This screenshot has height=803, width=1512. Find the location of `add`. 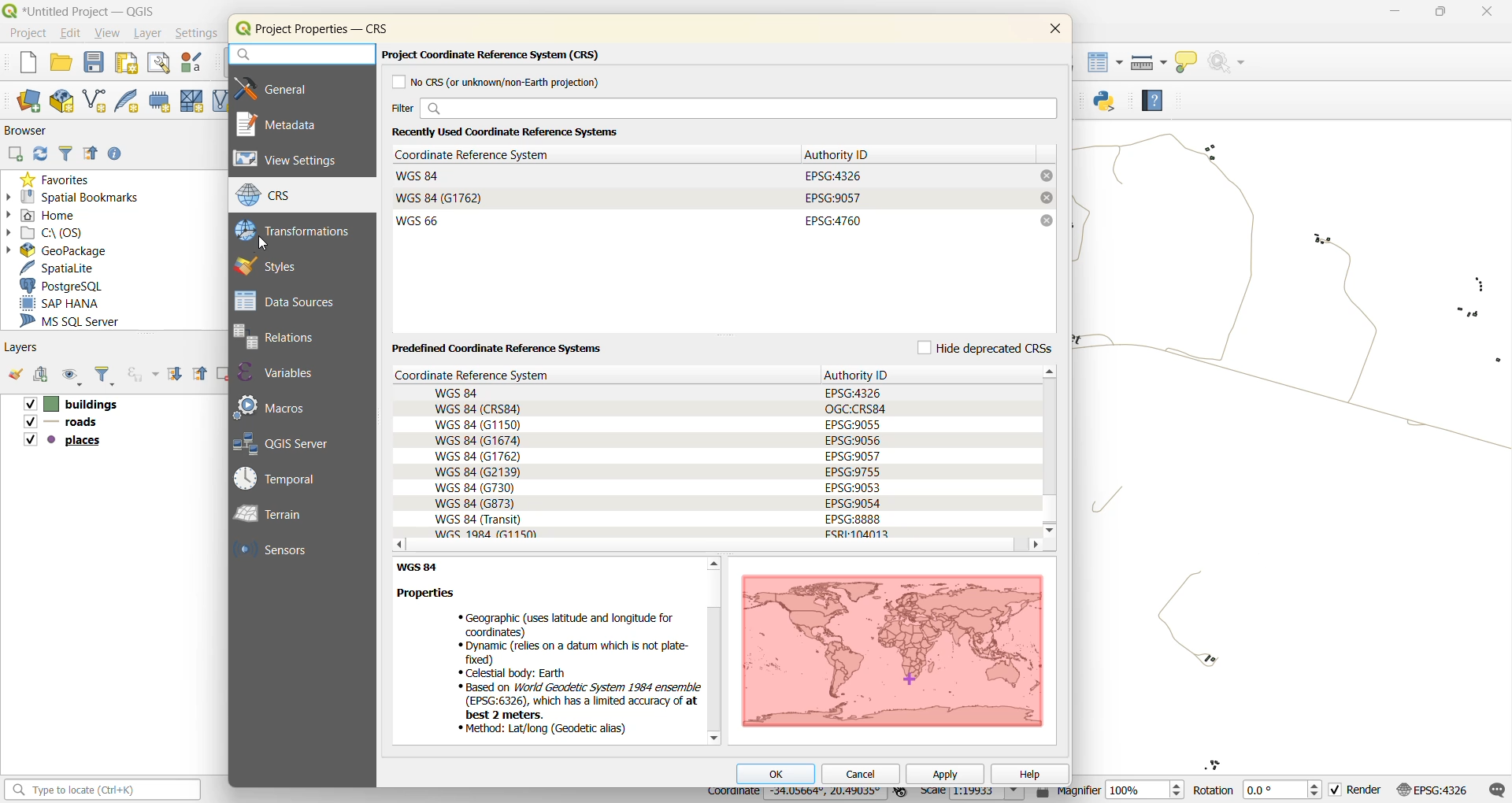

add is located at coordinates (14, 155).